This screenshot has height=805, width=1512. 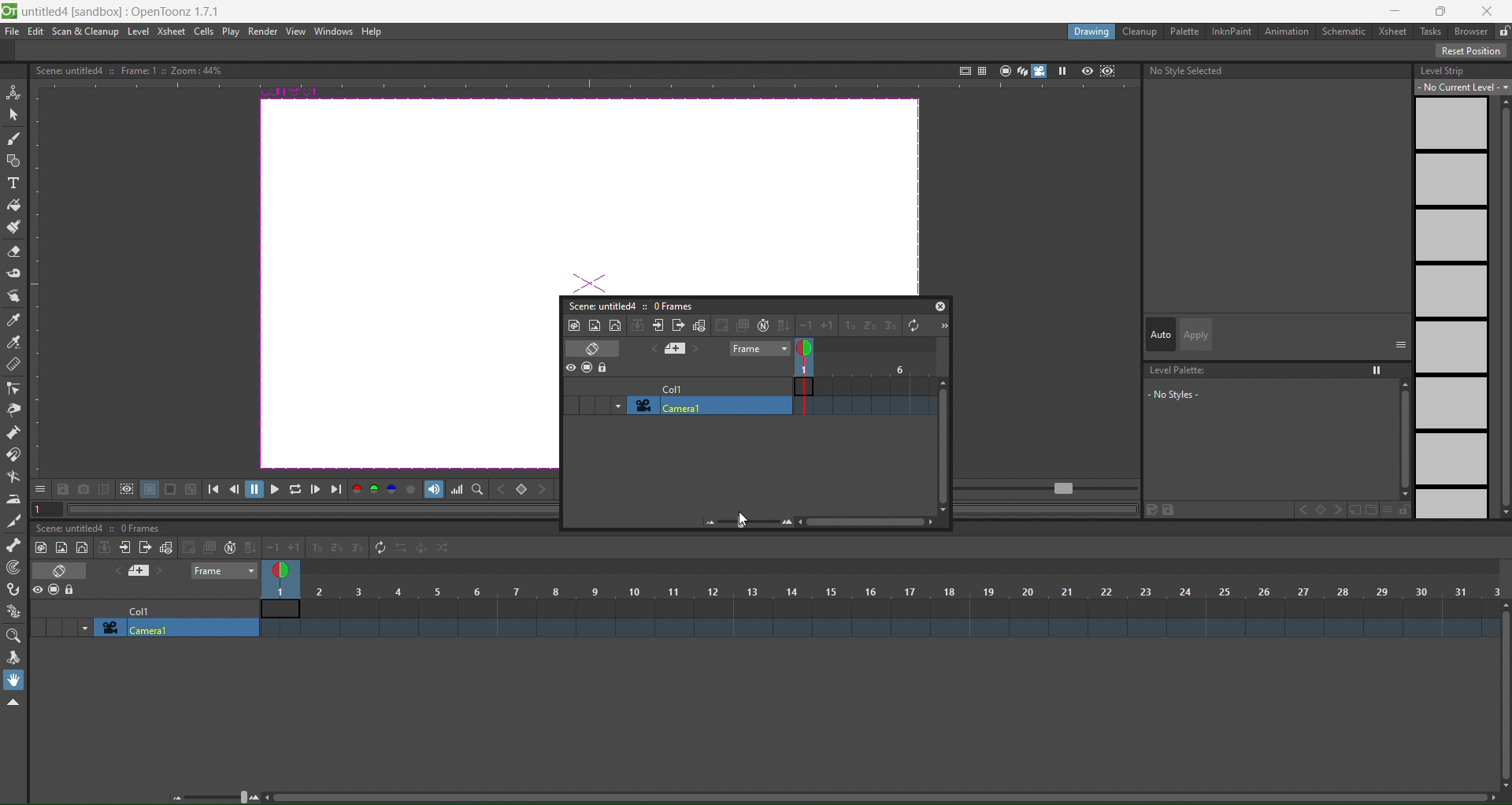 What do you see at coordinates (1108, 71) in the screenshot?
I see `sub camera preview` at bounding box center [1108, 71].